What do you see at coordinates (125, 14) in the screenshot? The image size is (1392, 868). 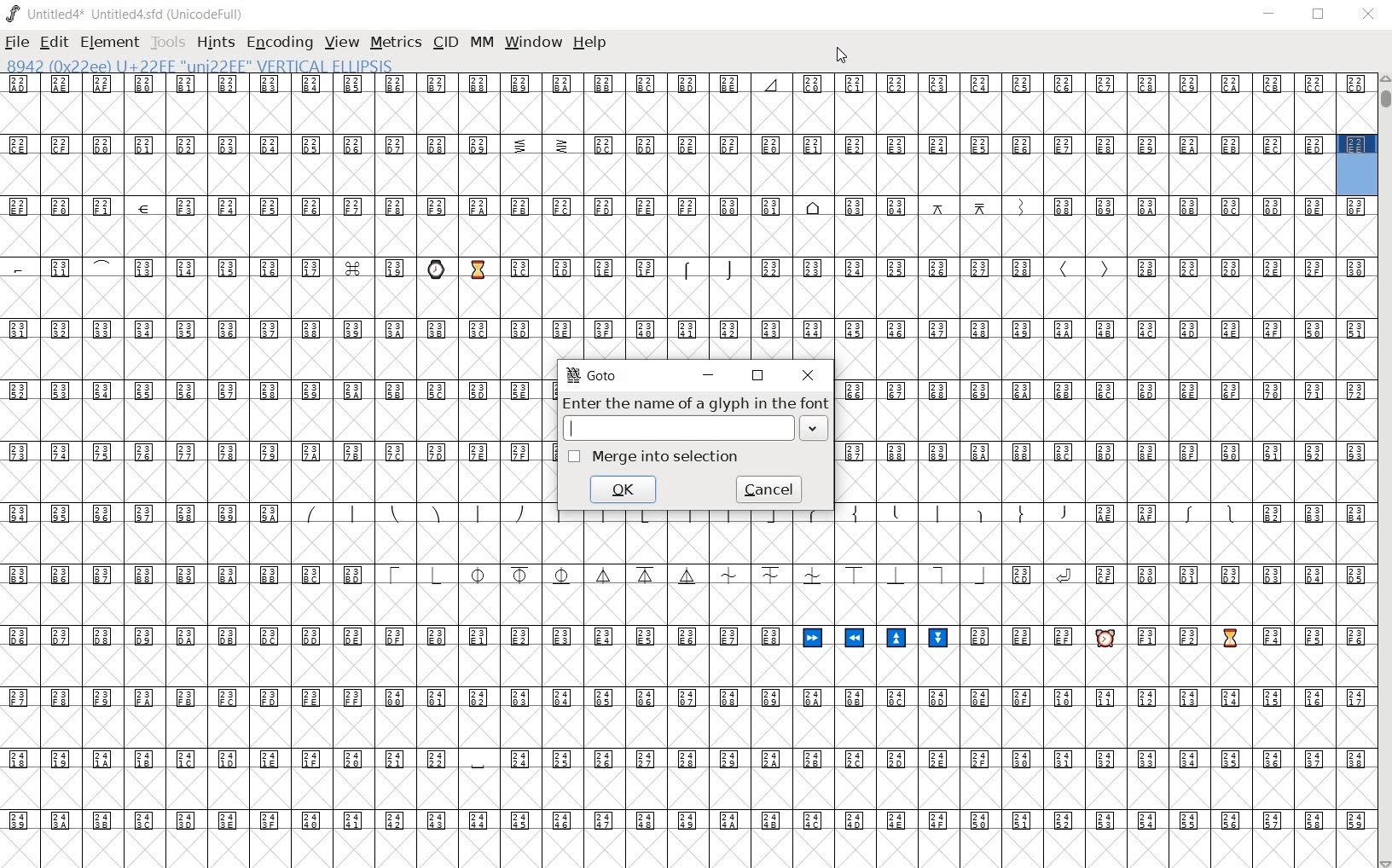 I see `Untitled4* Untitled4.sfd (UnicodeFull)` at bounding box center [125, 14].